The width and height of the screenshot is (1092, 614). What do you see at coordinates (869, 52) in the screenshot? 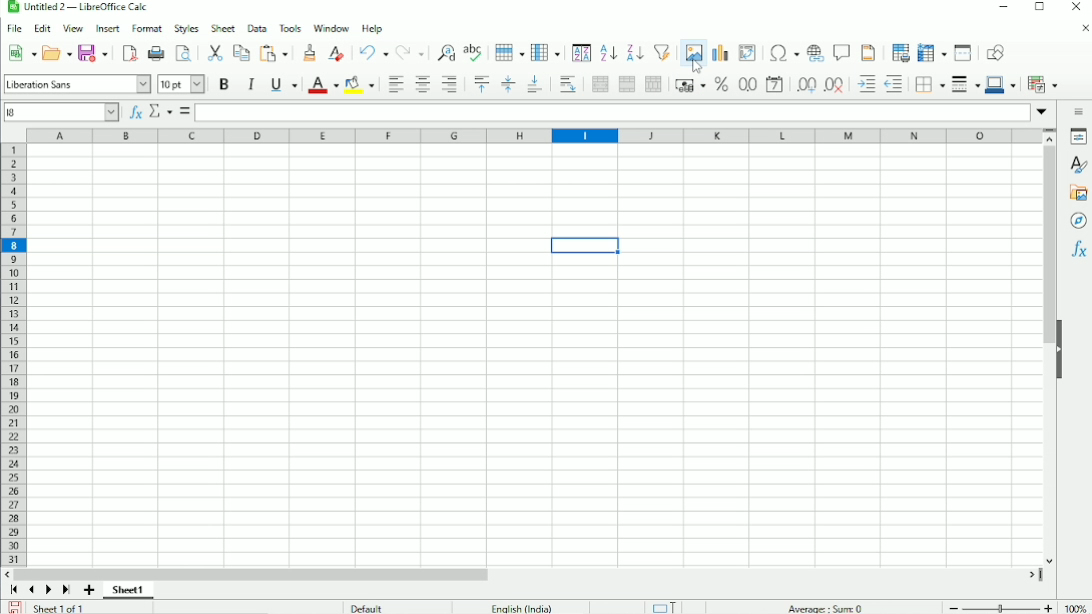
I see `Headers and footers` at bounding box center [869, 52].